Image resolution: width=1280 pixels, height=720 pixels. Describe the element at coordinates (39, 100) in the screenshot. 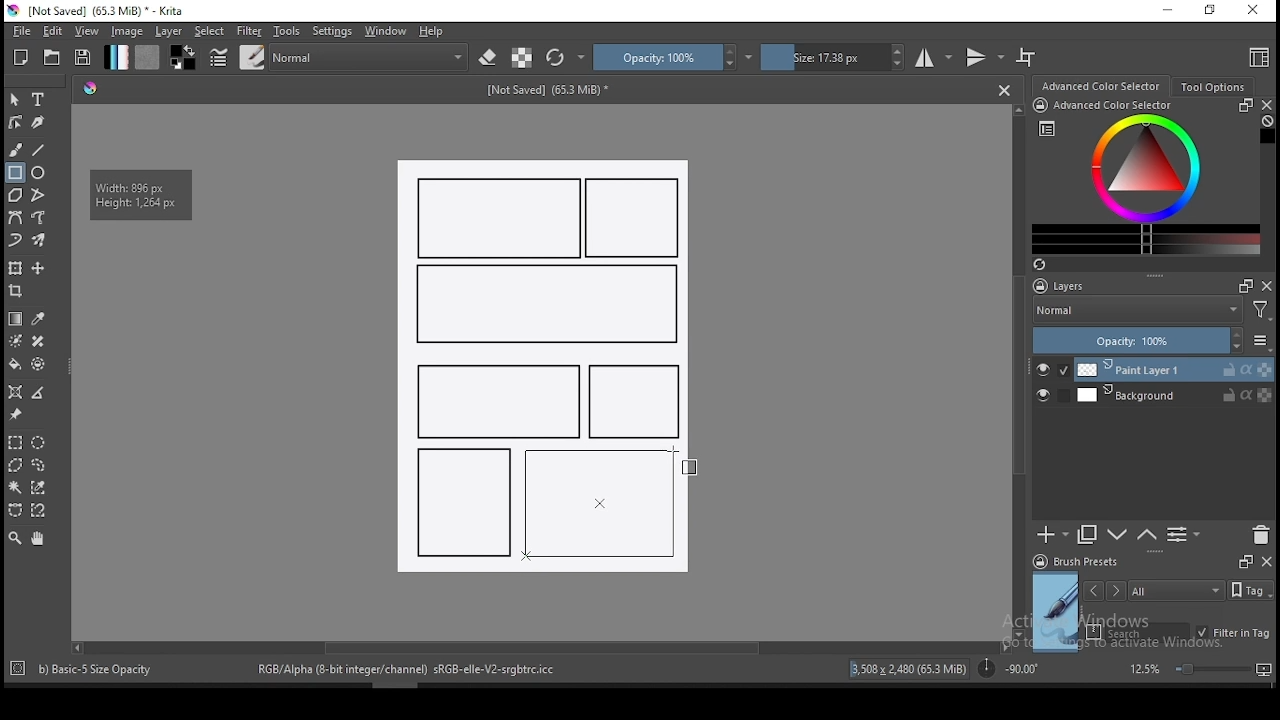

I see `text tool` at that location.